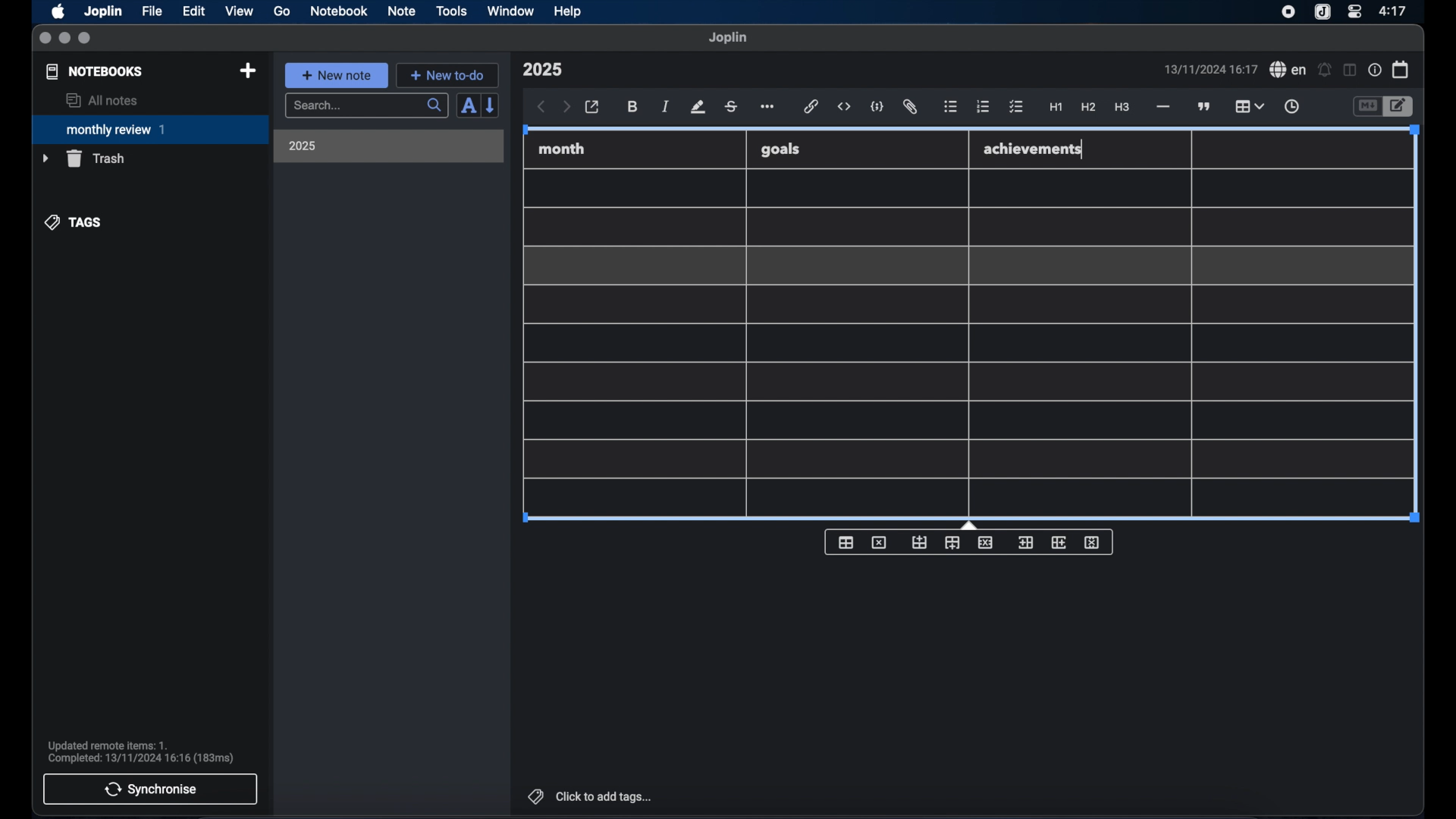 This screenshot has height=819, width=1456. Describe the element at coordinates (983, 106) in the screenshot. I see `numbered list` at that location.